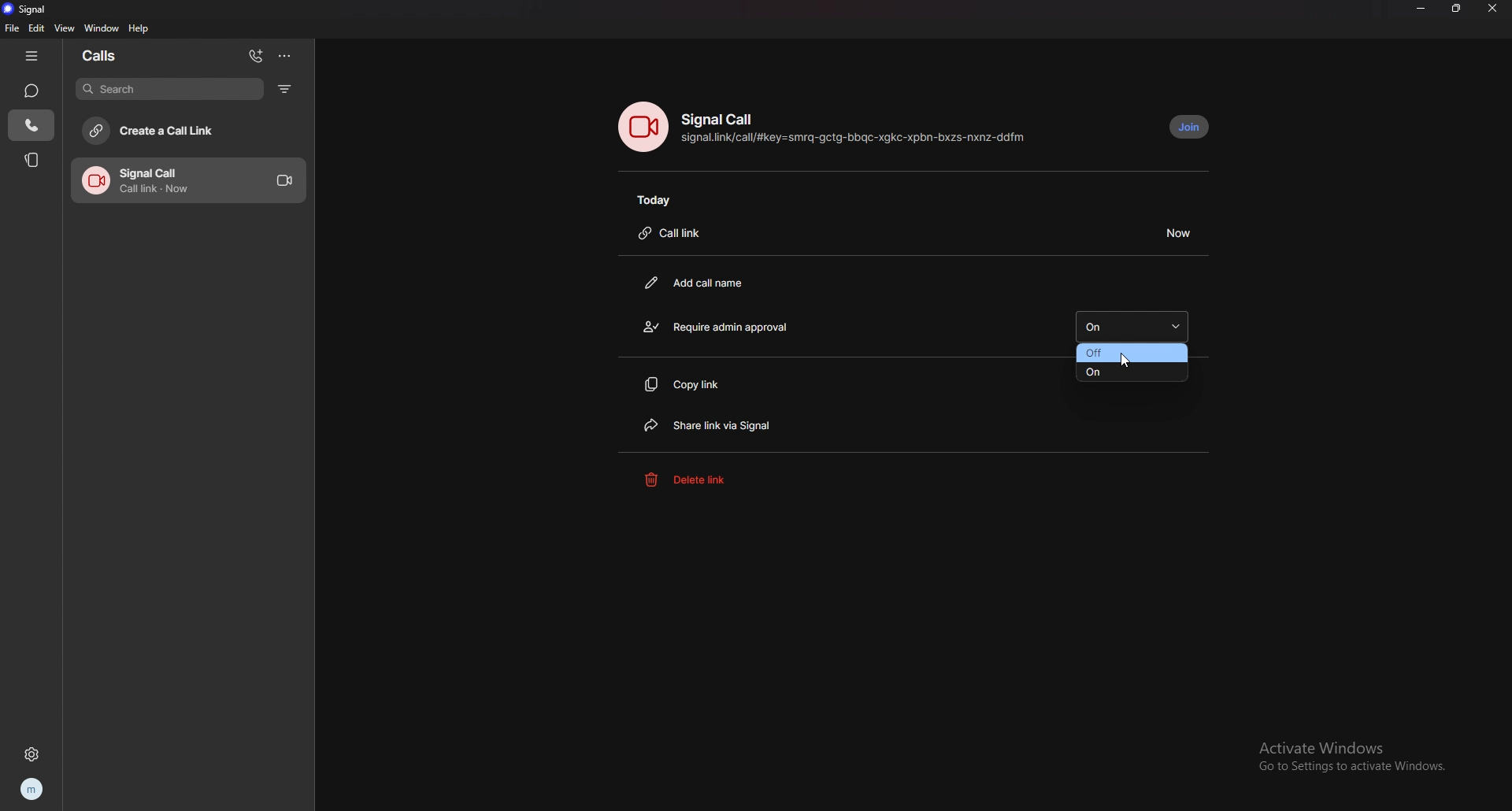 Image resolution: width=1512 pixels, height=811 pixels. I want to click on resize, so click(1458, 8).